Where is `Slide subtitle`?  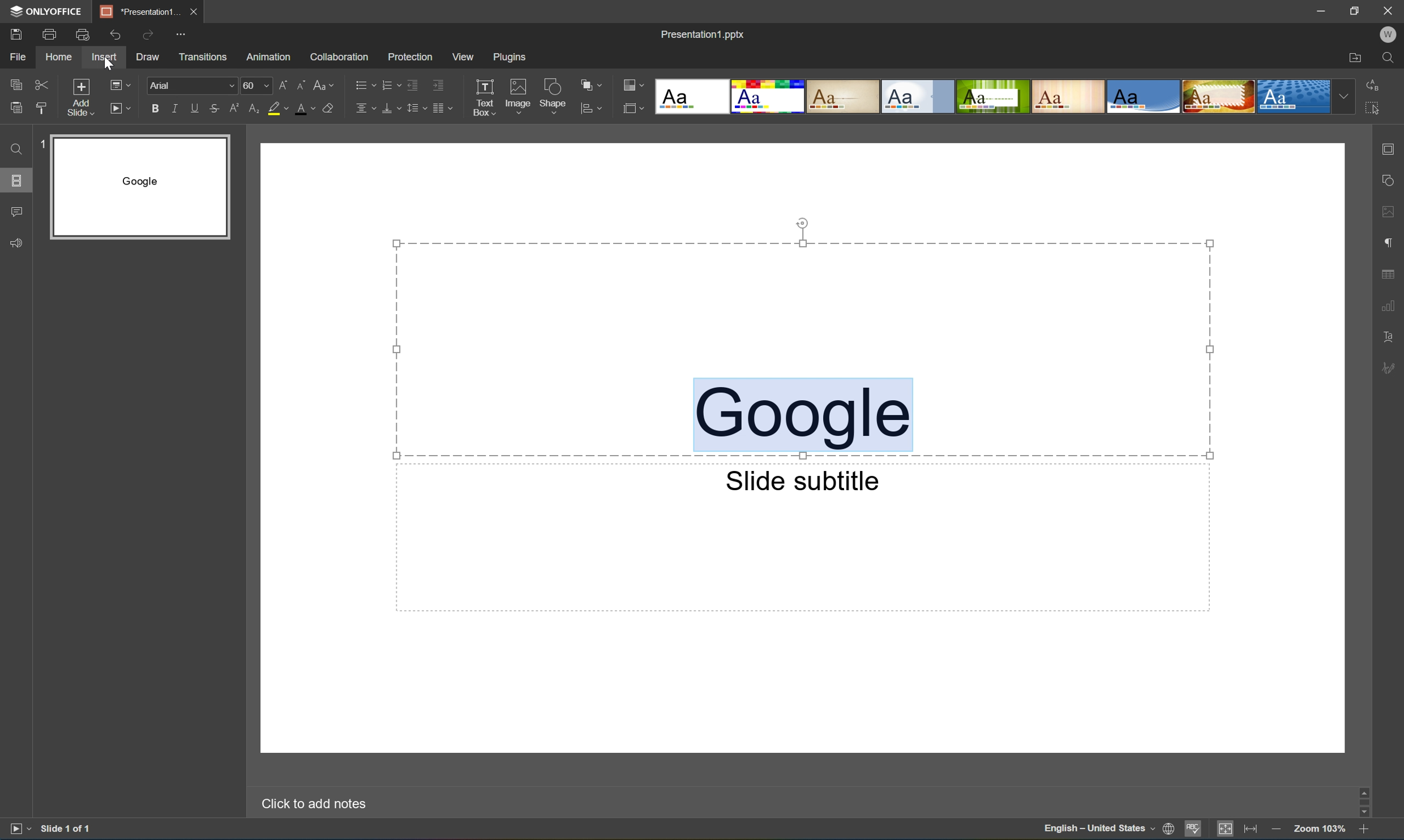
Slide subtitle is located at coordinates (803, 479).